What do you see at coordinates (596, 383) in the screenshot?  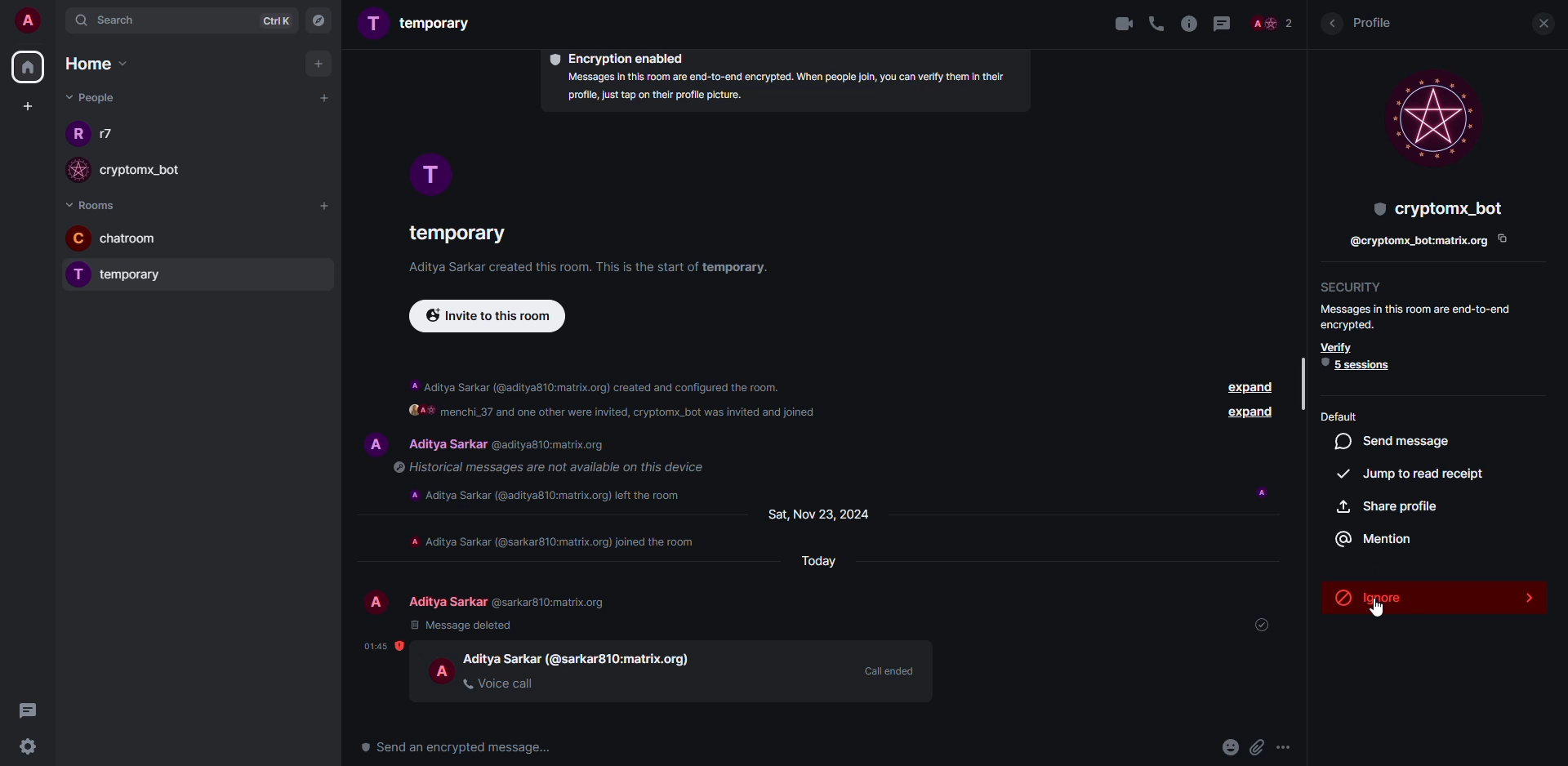 I see `info` at bounding box center [596, 383].